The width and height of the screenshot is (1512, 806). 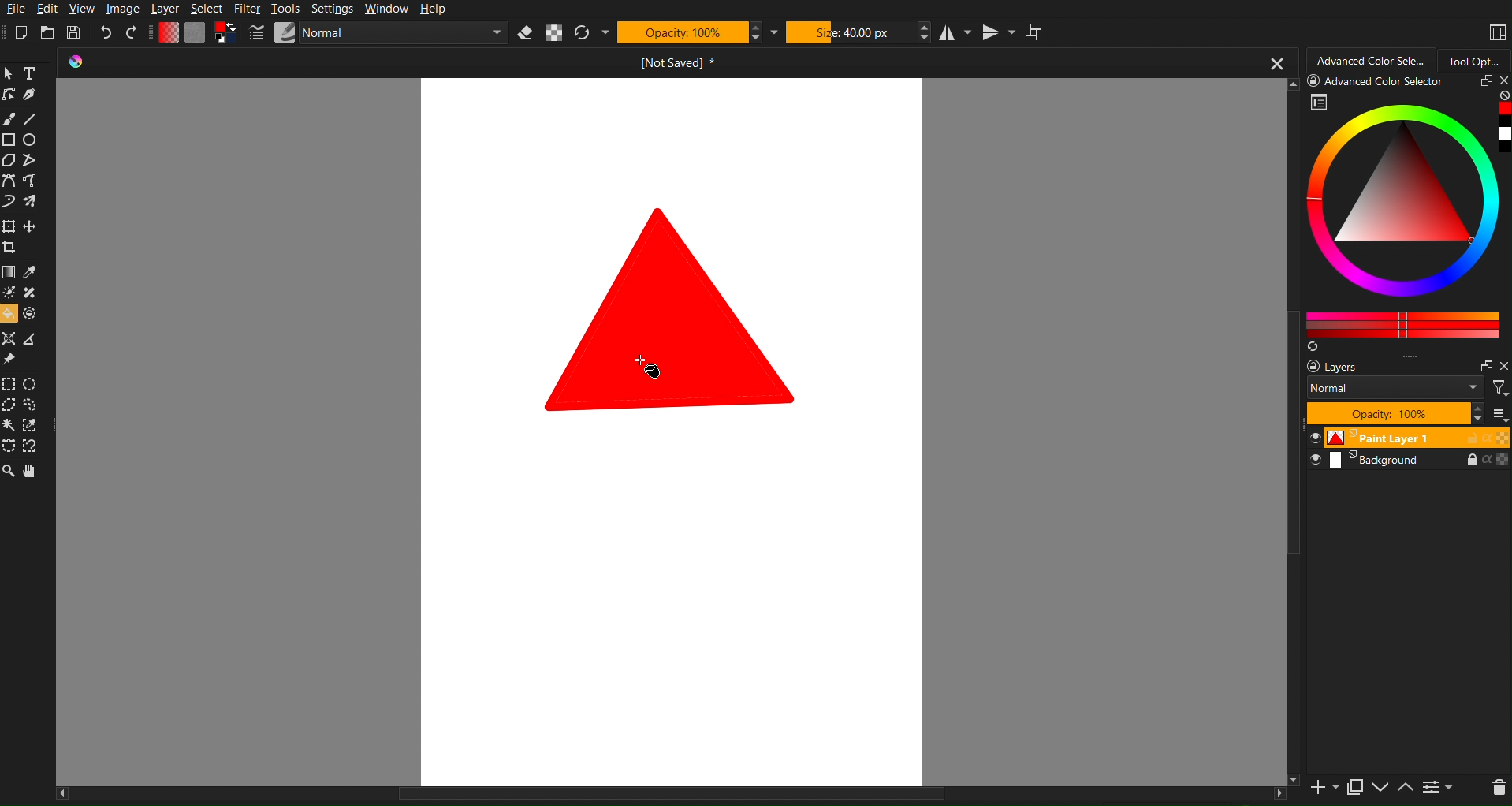 What do you see at coordinates (36, 181) in the screenshot?
I see `freehand path tool` at bounding box center [36, 181].